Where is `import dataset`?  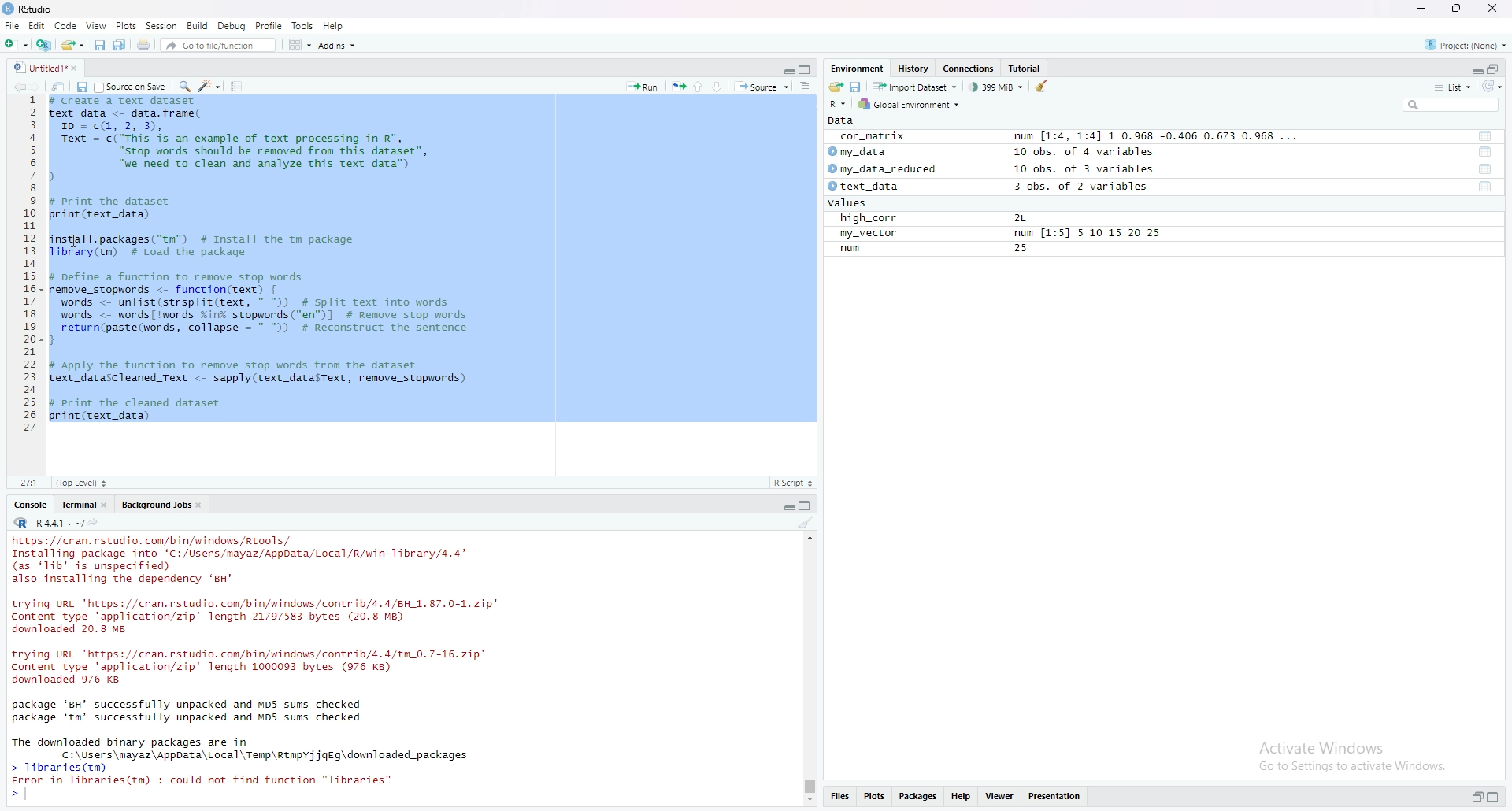
import dataset is located at coordinates (916, 87).